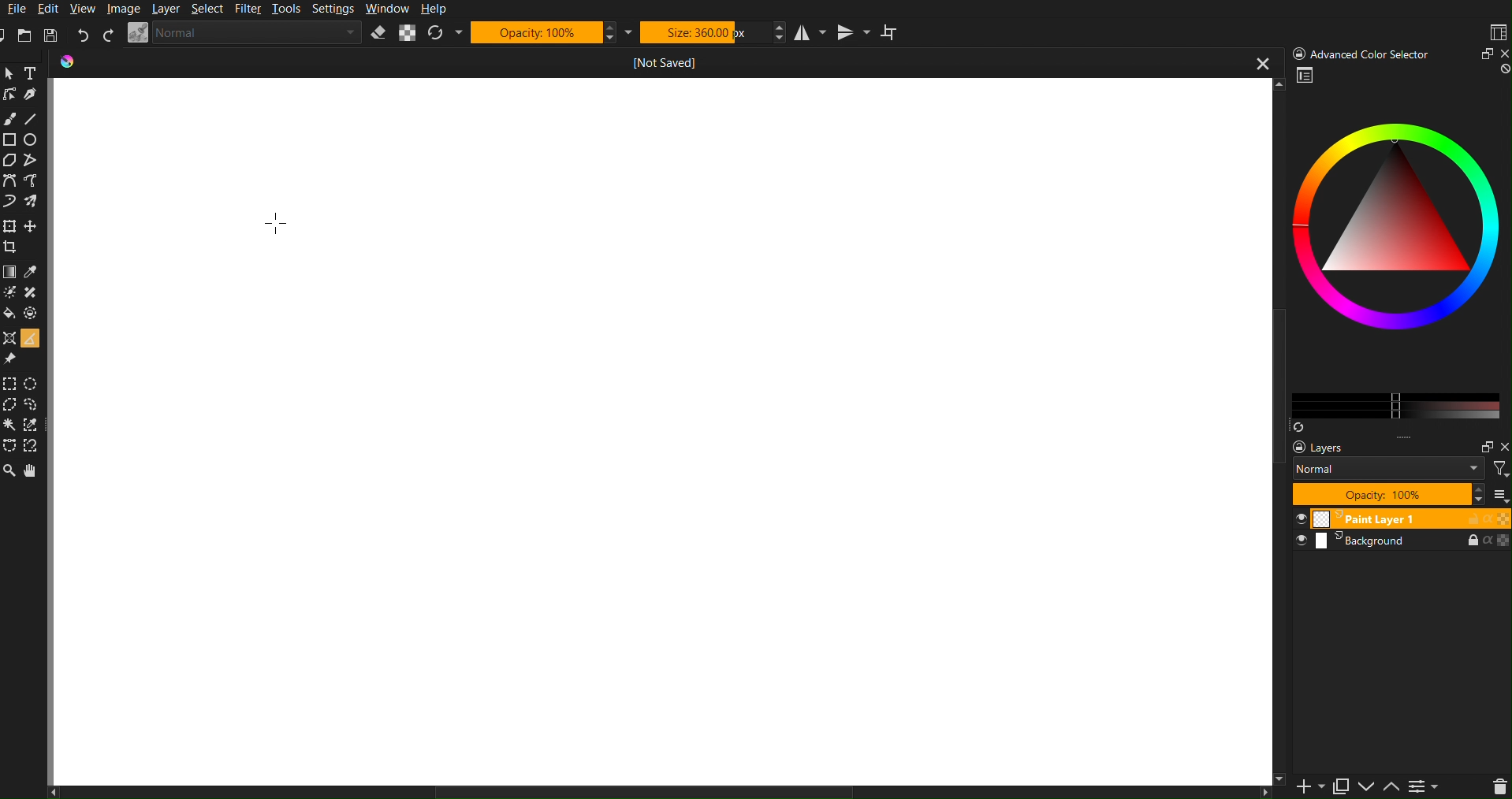 The image size is (1512, 799). What do you see at coordinates (1393, 471) in the screenshot?
I see `Layer Settings` at bounding box center [1393, 471].